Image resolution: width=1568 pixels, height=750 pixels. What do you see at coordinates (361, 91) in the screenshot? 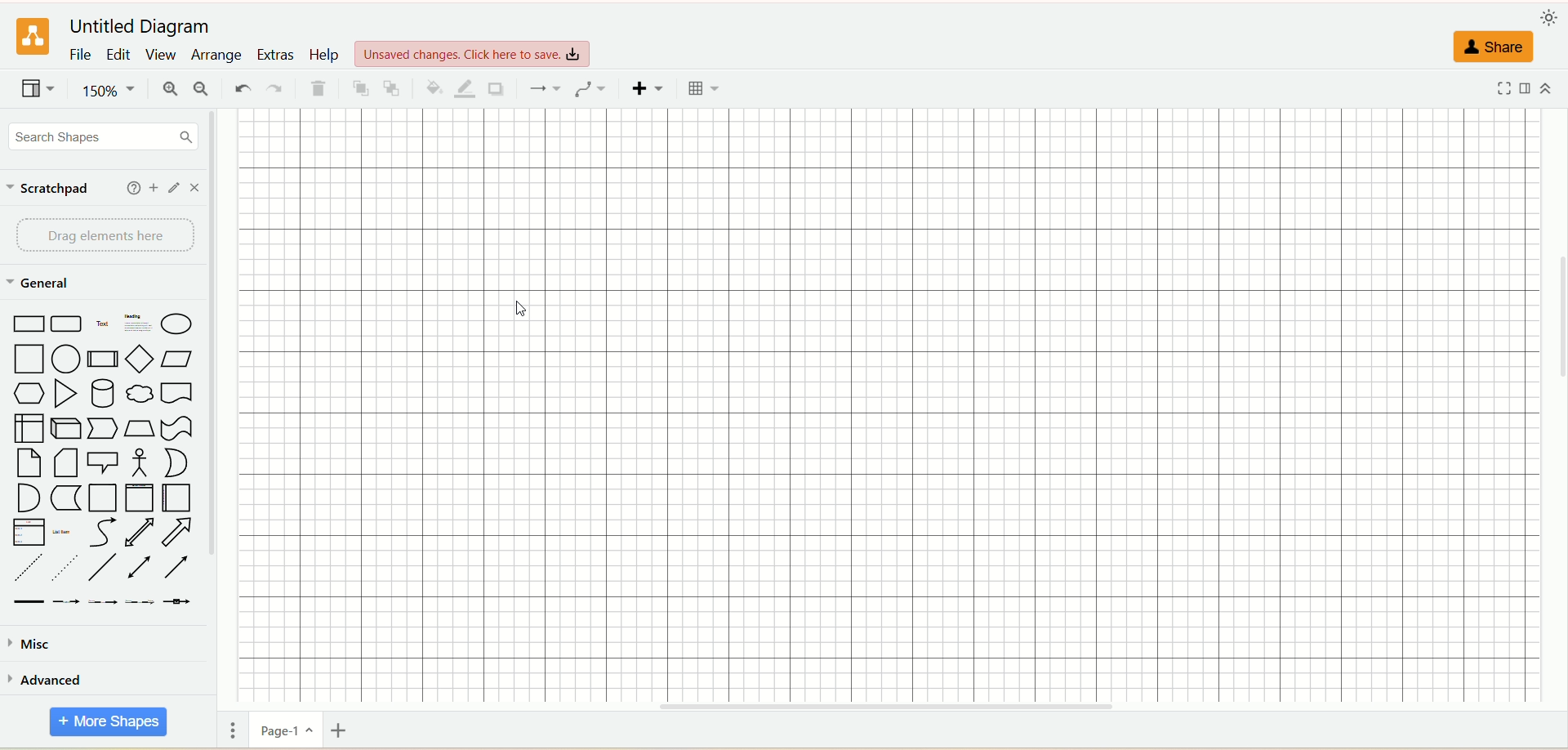
I see `to front` at bounding box center [361, 91].